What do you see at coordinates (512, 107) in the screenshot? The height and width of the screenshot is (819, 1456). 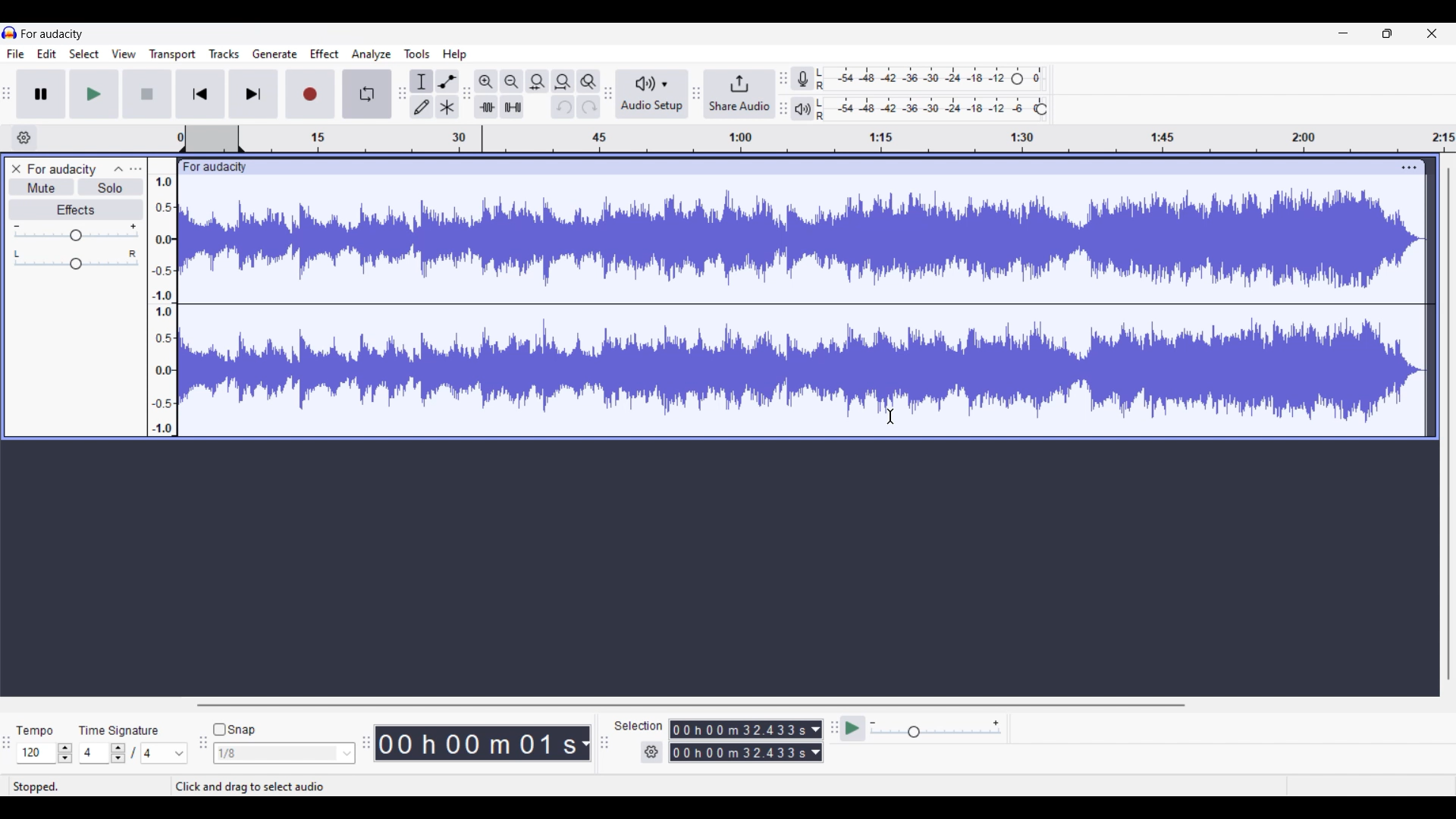 I see `Silence audio selection` at bounding box center [512, 107].